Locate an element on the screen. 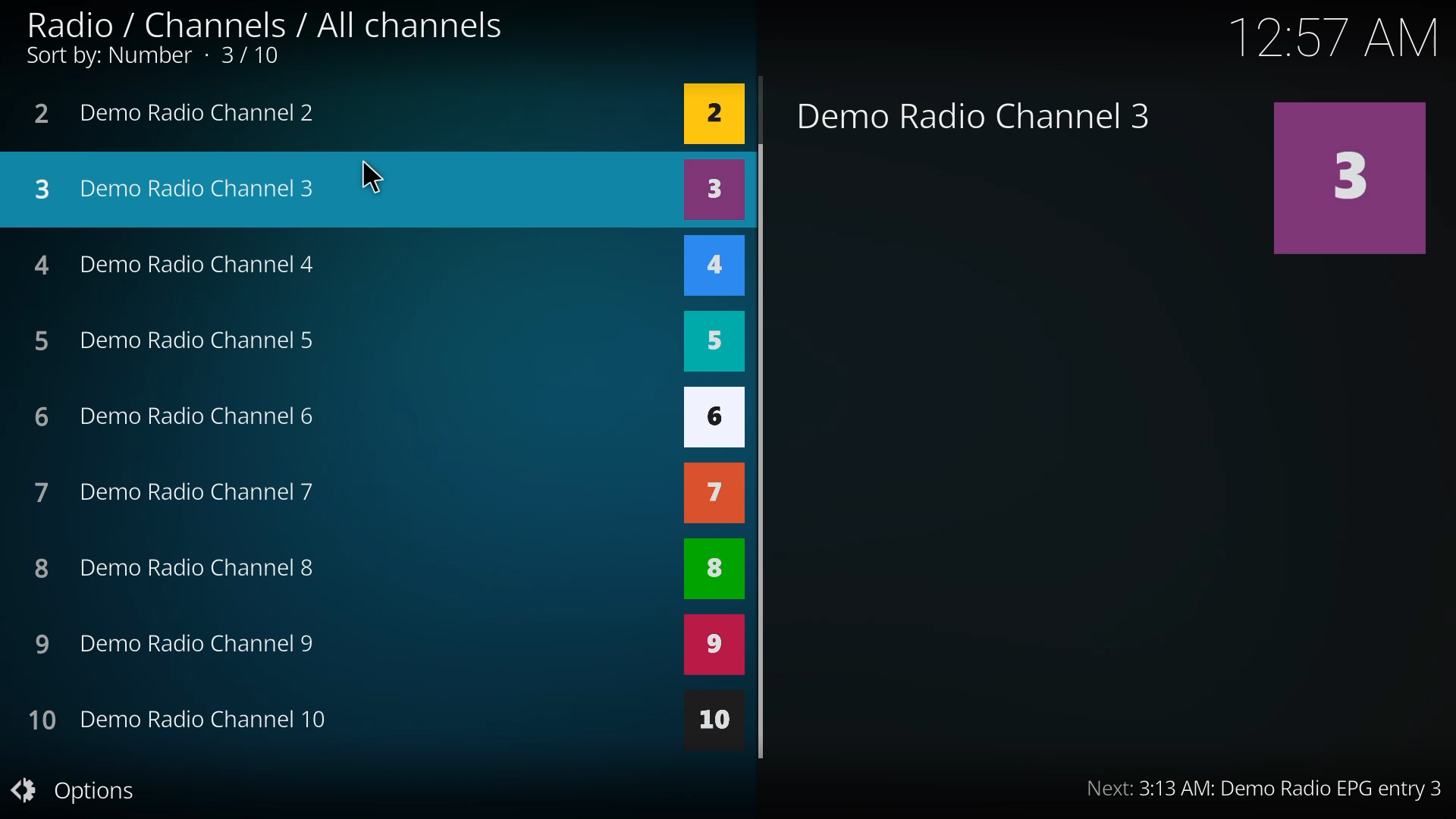 This screenshot has height=819, width=1456. 3 Demo Radio Channel 3 is located at coordinates (343, 184).